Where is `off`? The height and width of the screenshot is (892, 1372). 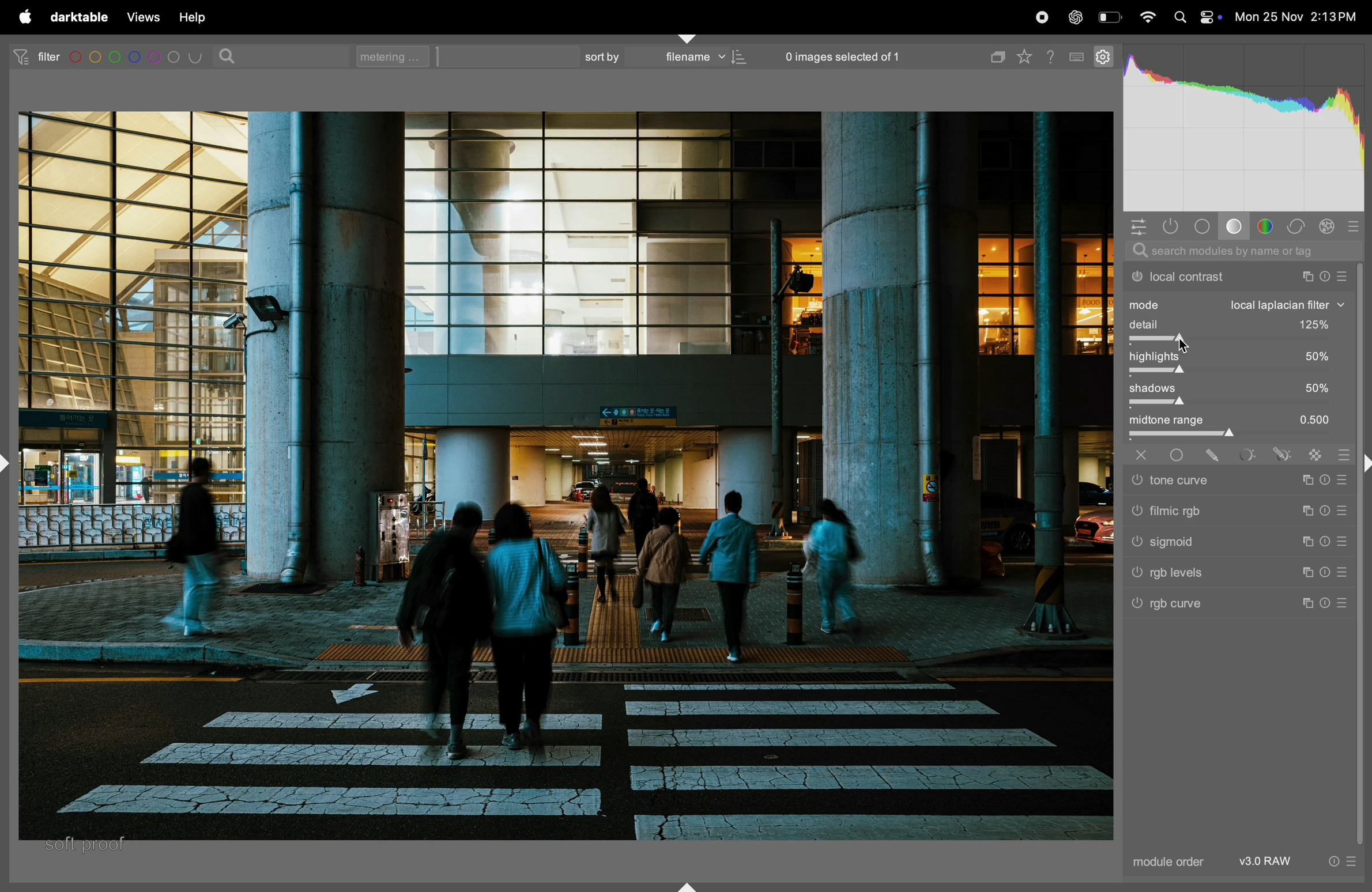 off is located at coordinates (1144, 455).